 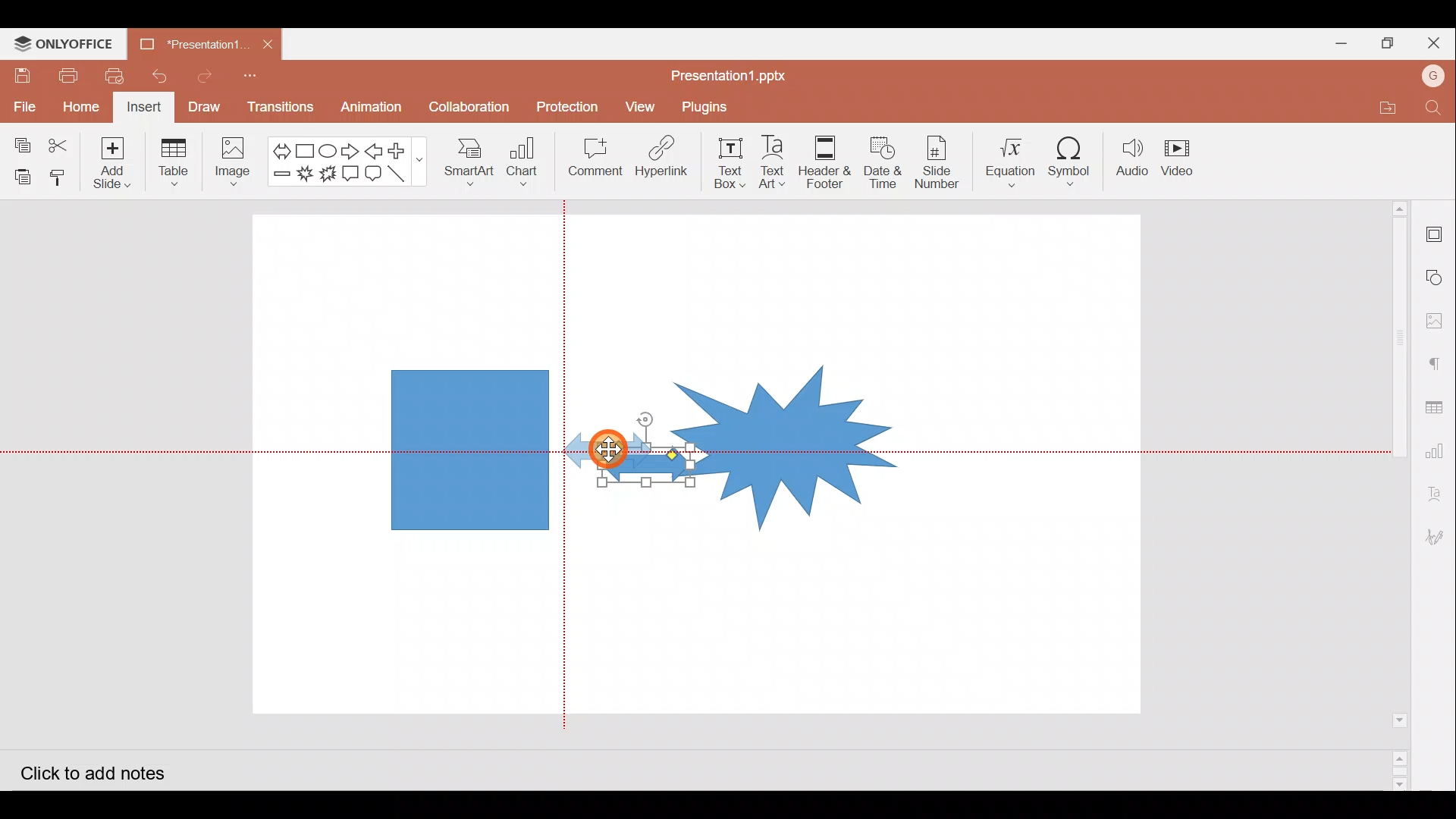 What do you see at coordinates (1436, 366) in the screenshot?
I see `Paragraph settings` at bounding box center [1436, 366].